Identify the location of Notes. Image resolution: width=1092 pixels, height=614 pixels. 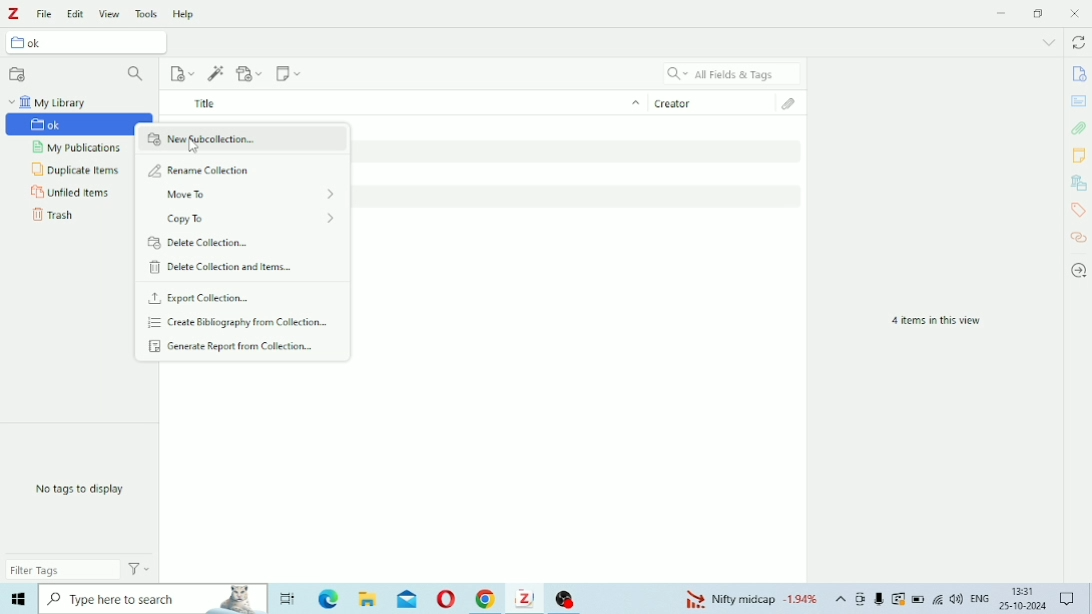
(1079, 155).